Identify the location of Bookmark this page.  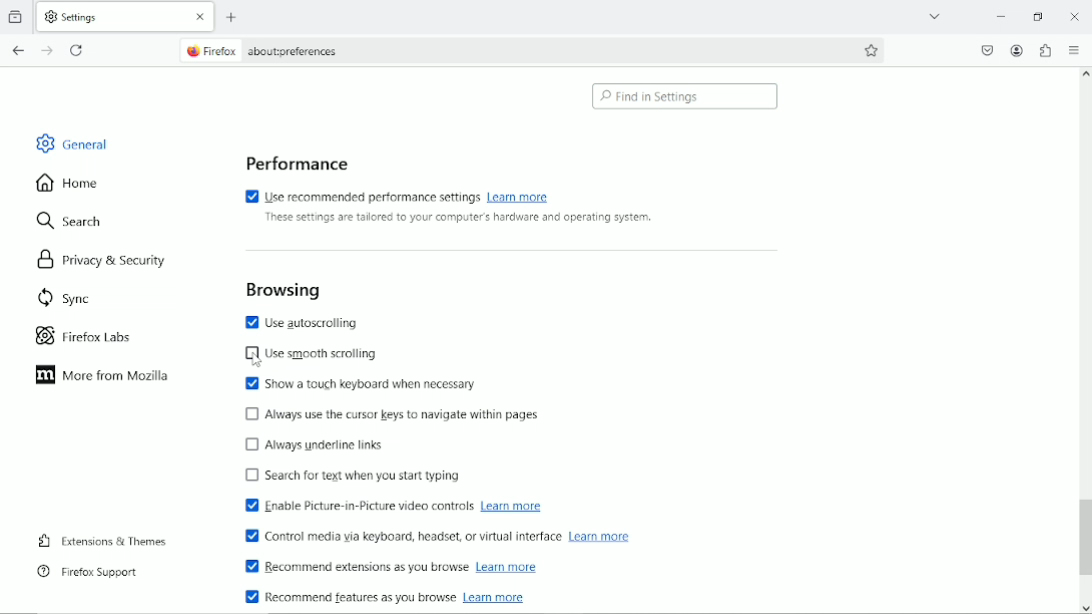
(872, 50).